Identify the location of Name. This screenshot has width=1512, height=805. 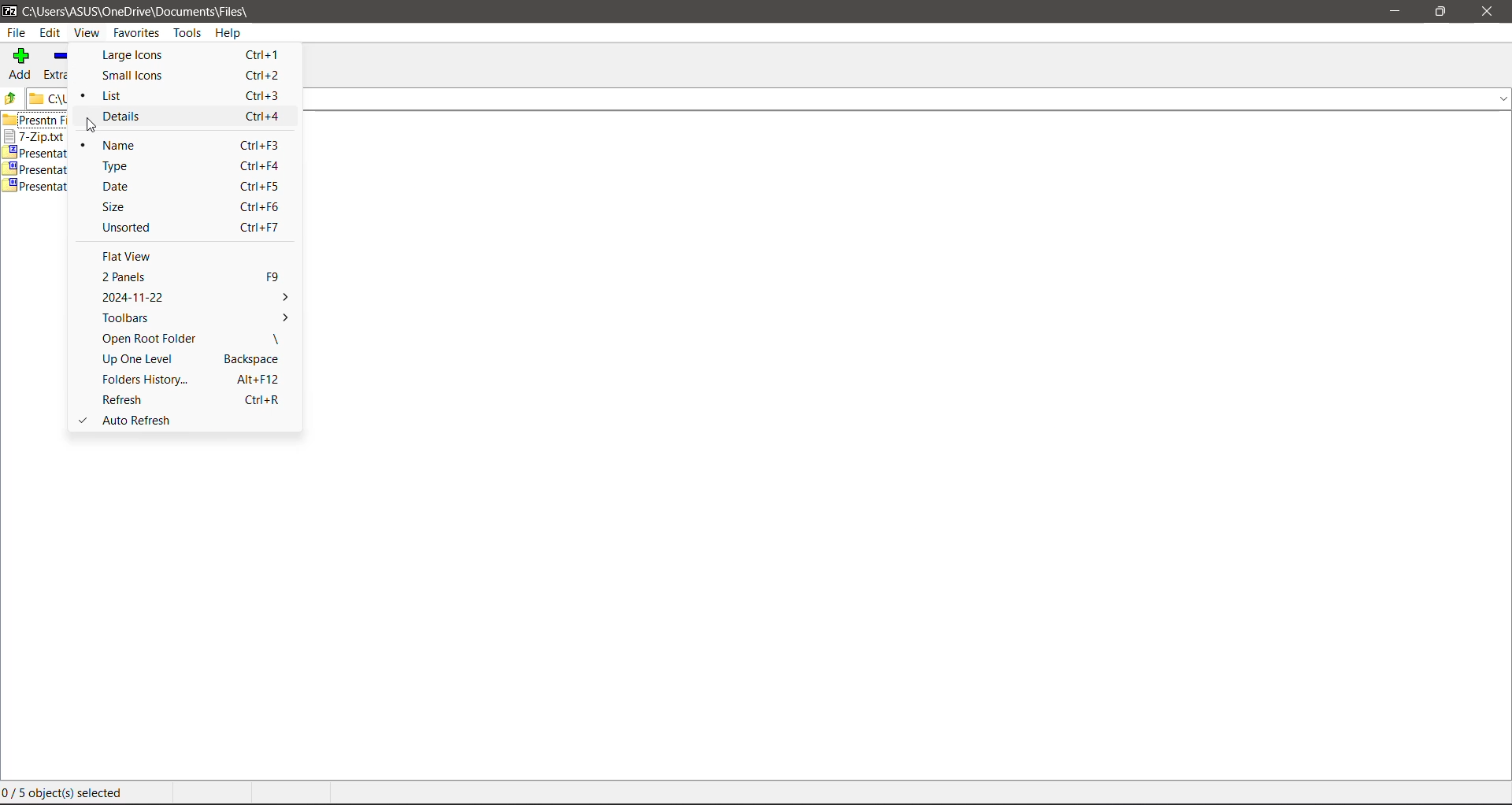
(191, 145).